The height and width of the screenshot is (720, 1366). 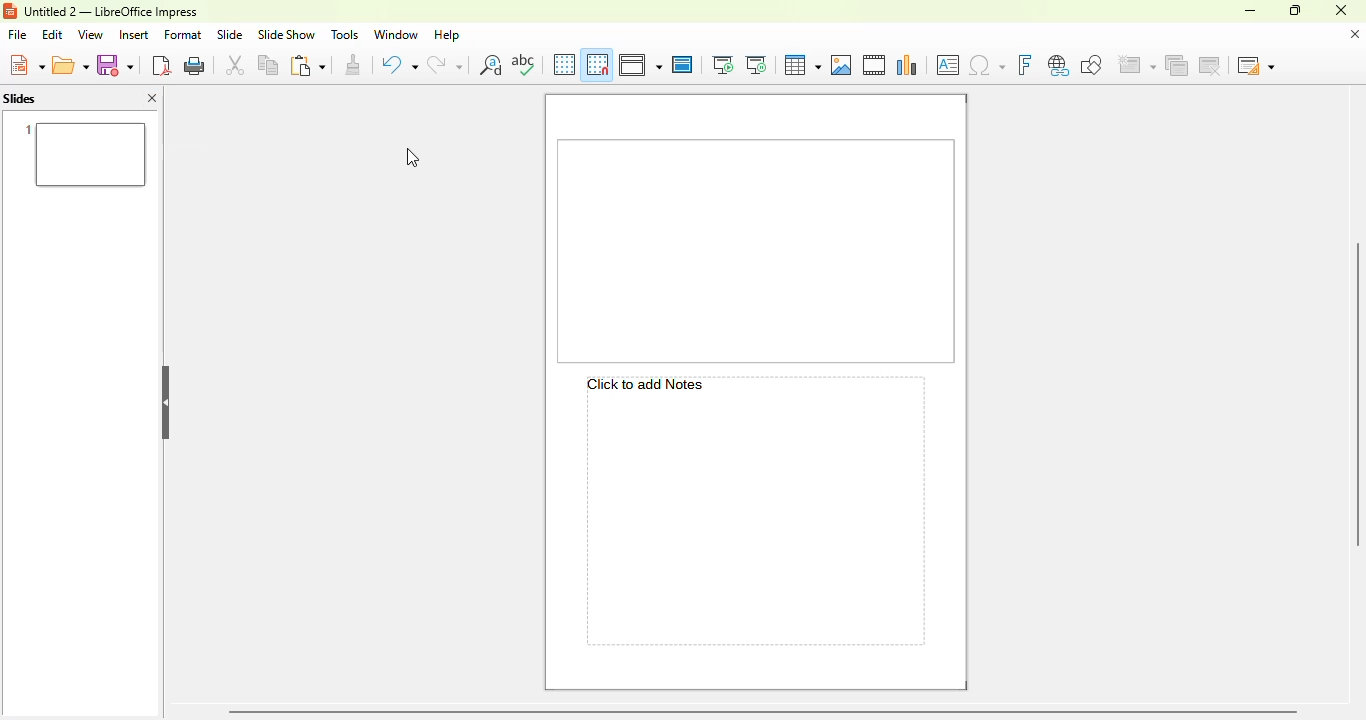 I want to click on paste, so click(x=309, y=64).